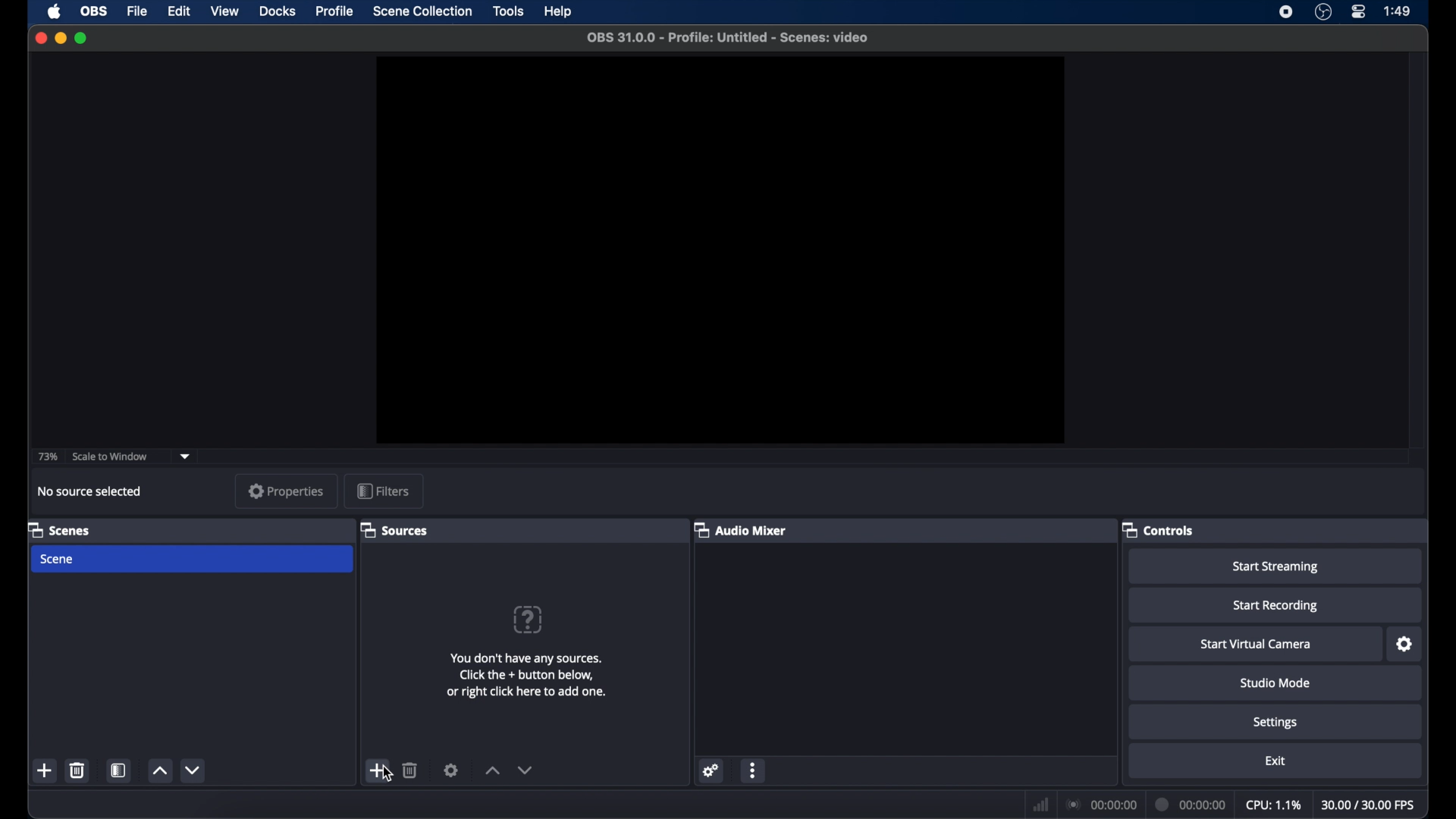 The height and width of the screenshot is (819, 1456). Describe the element at coordinates (1274, 802) in the screenshot. I see `CPU: 1.1%` at that location.